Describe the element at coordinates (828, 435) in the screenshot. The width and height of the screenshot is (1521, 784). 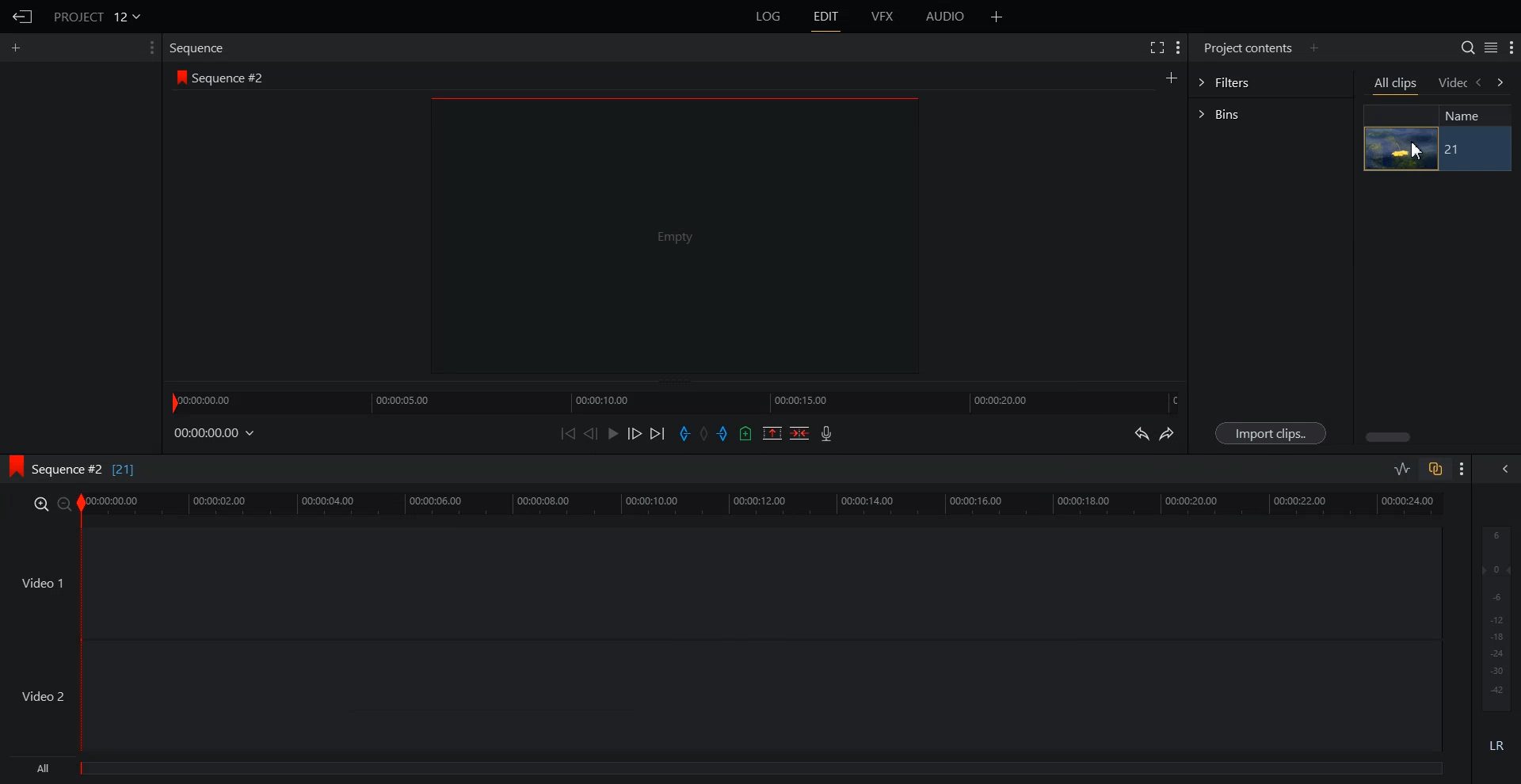
I see `Record Video` at that location.